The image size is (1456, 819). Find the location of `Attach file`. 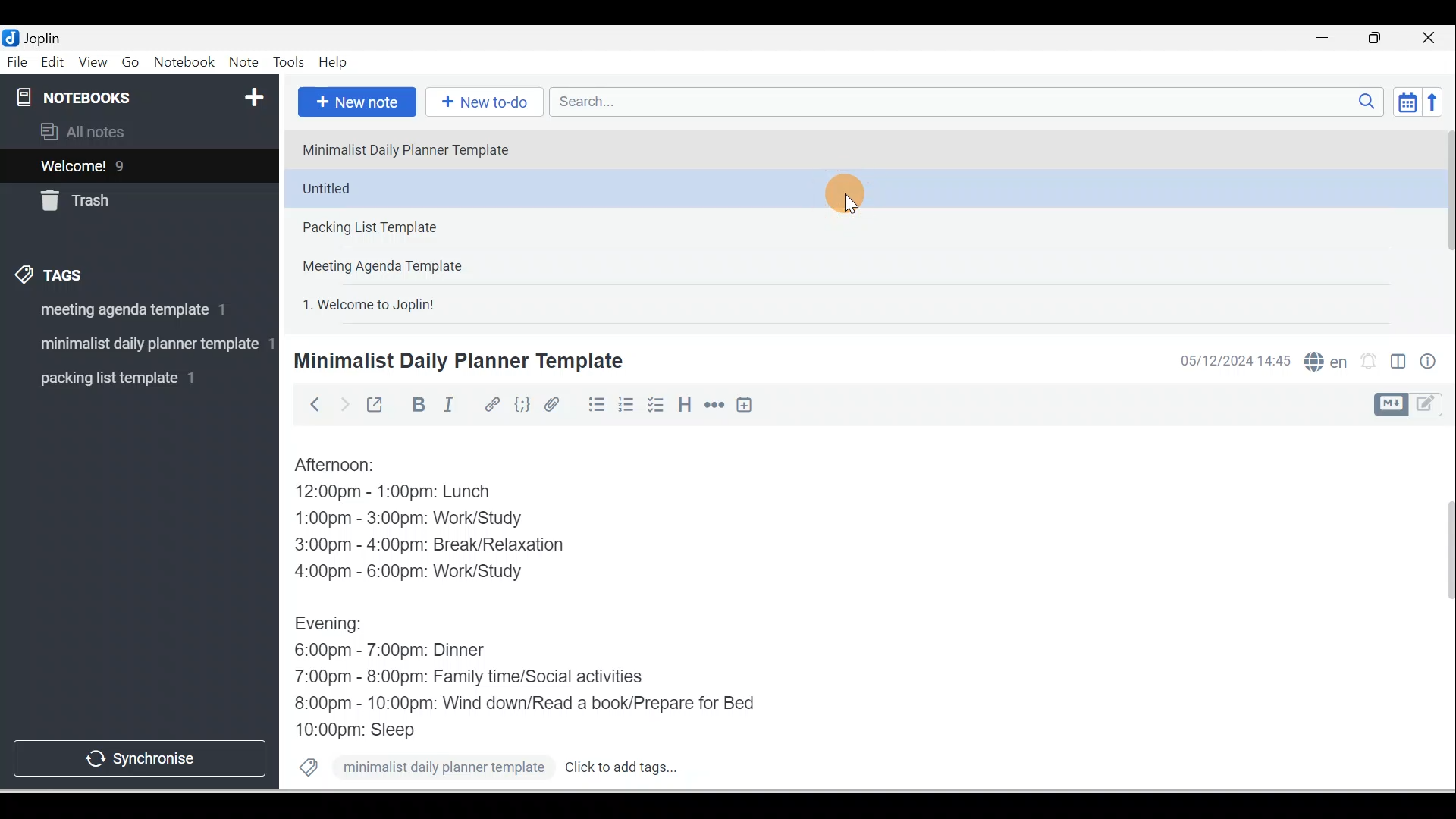

Attach file is located at coordinates (556, 404).